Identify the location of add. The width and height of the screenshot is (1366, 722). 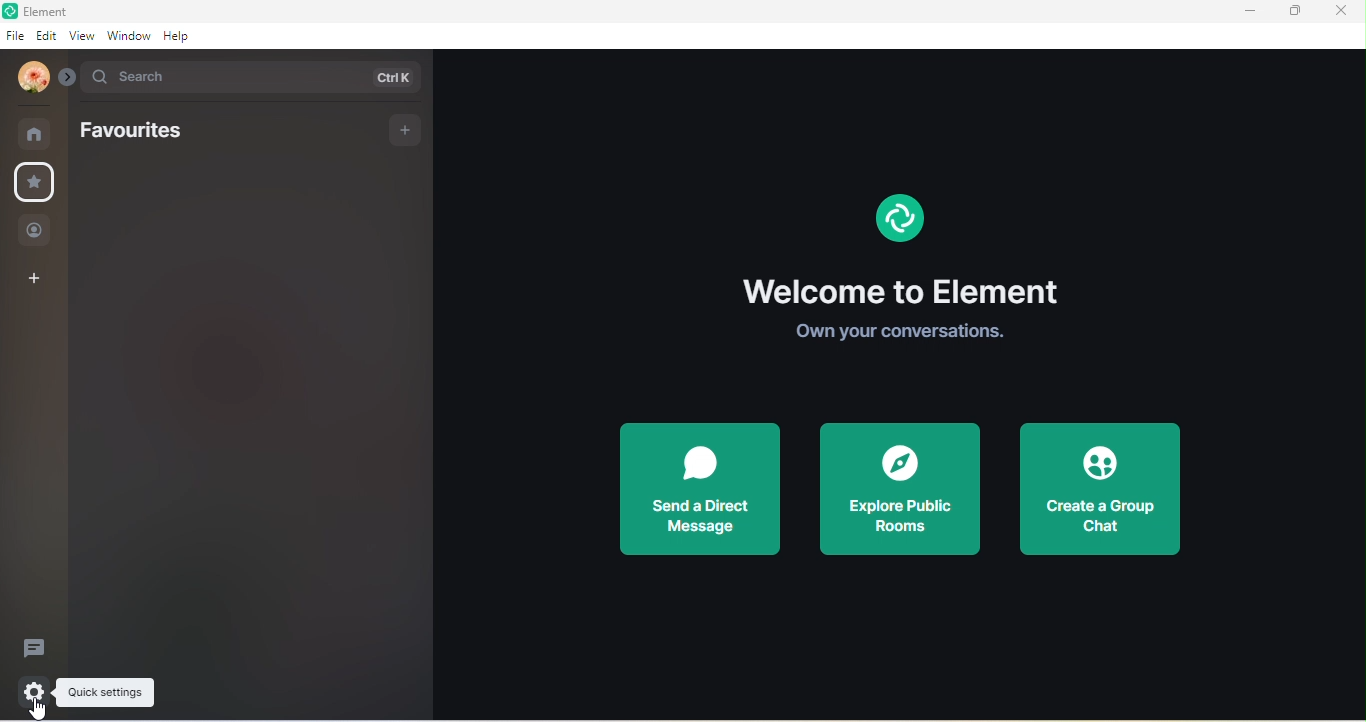
(403, 129).